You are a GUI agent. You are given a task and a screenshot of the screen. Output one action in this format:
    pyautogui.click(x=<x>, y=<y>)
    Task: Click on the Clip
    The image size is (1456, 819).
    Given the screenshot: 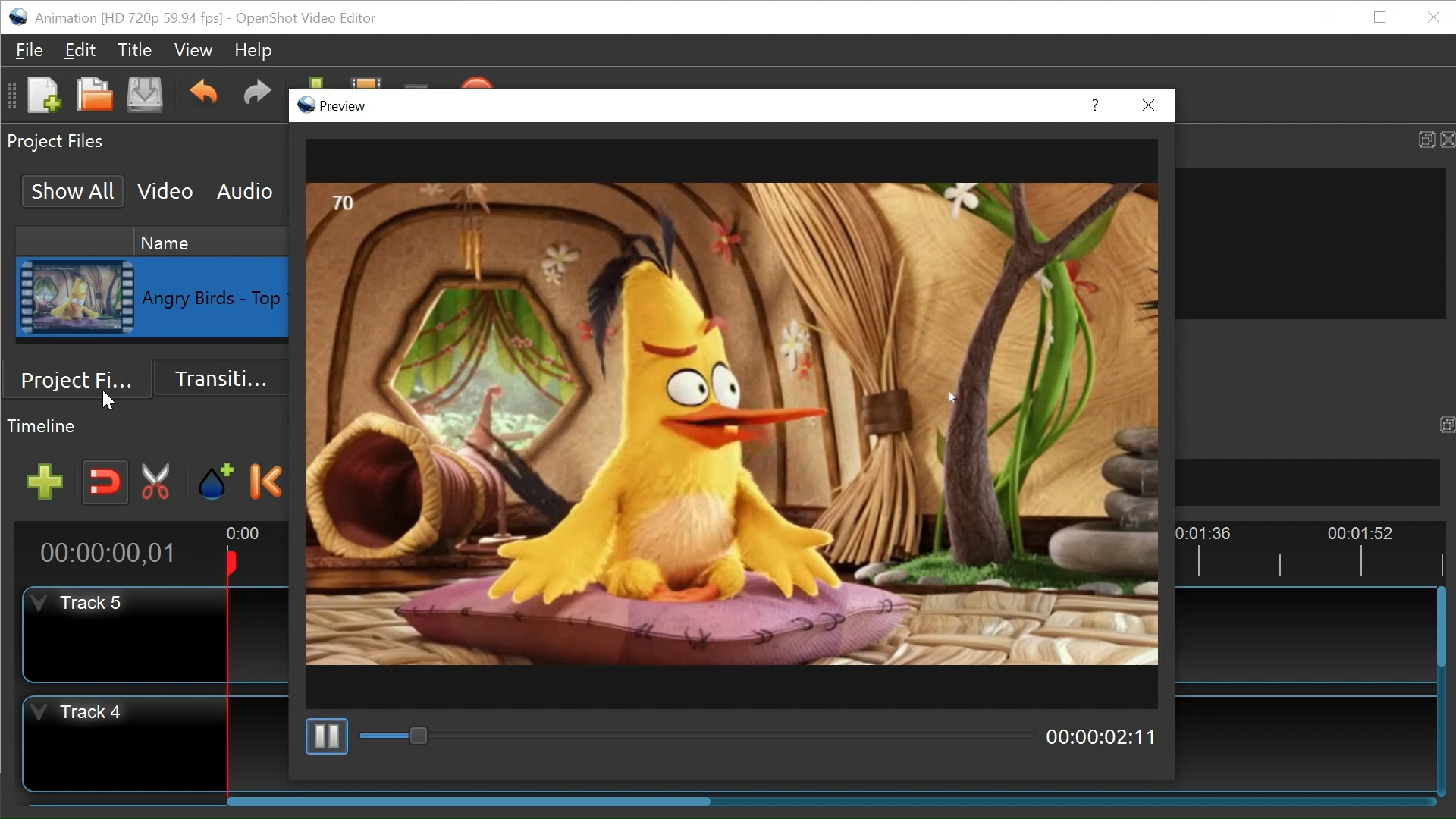 What is the action you would take?
    pyautogui.click(x=77, y=298)
    